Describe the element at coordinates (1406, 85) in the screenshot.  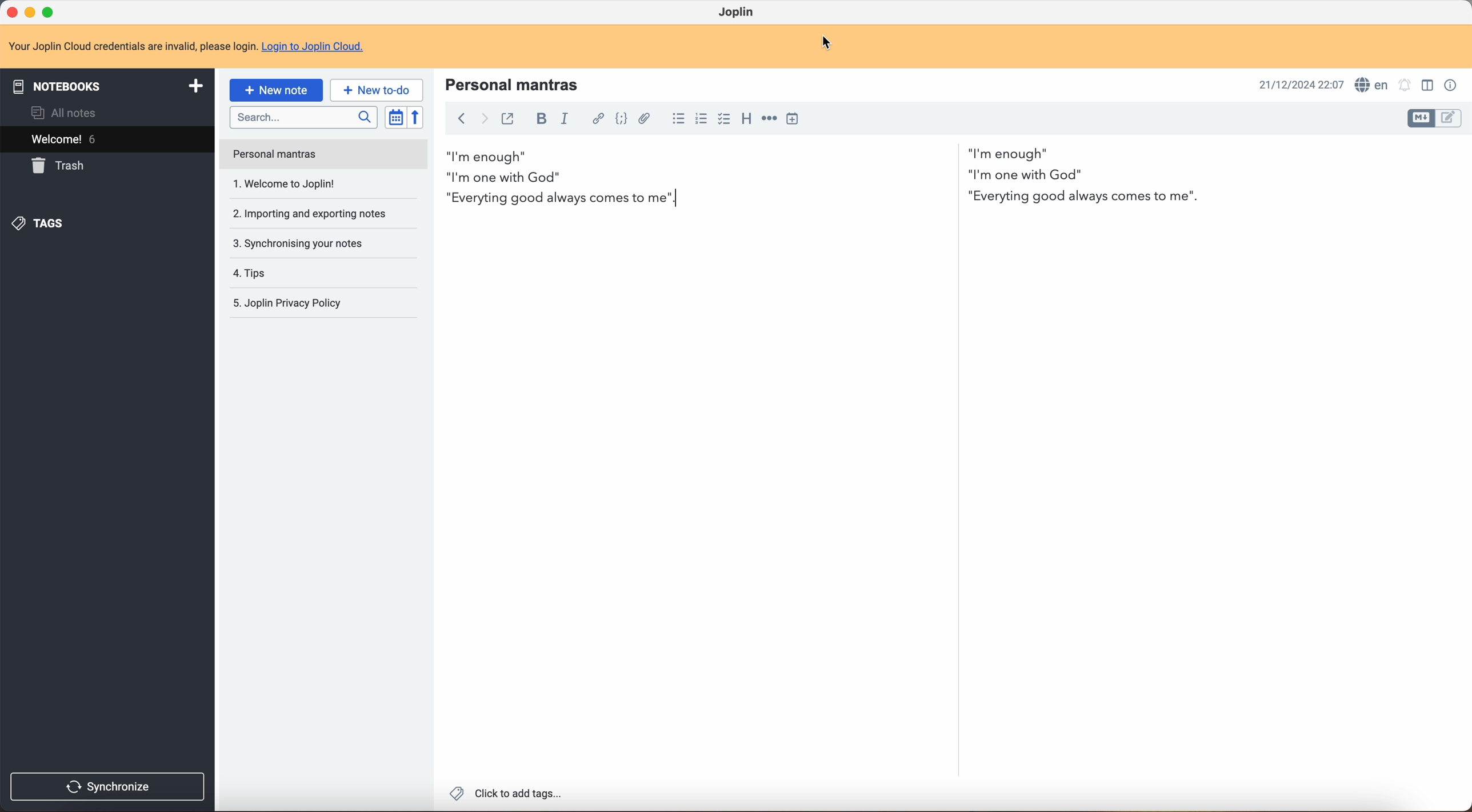
I see `set alarm` at that location.